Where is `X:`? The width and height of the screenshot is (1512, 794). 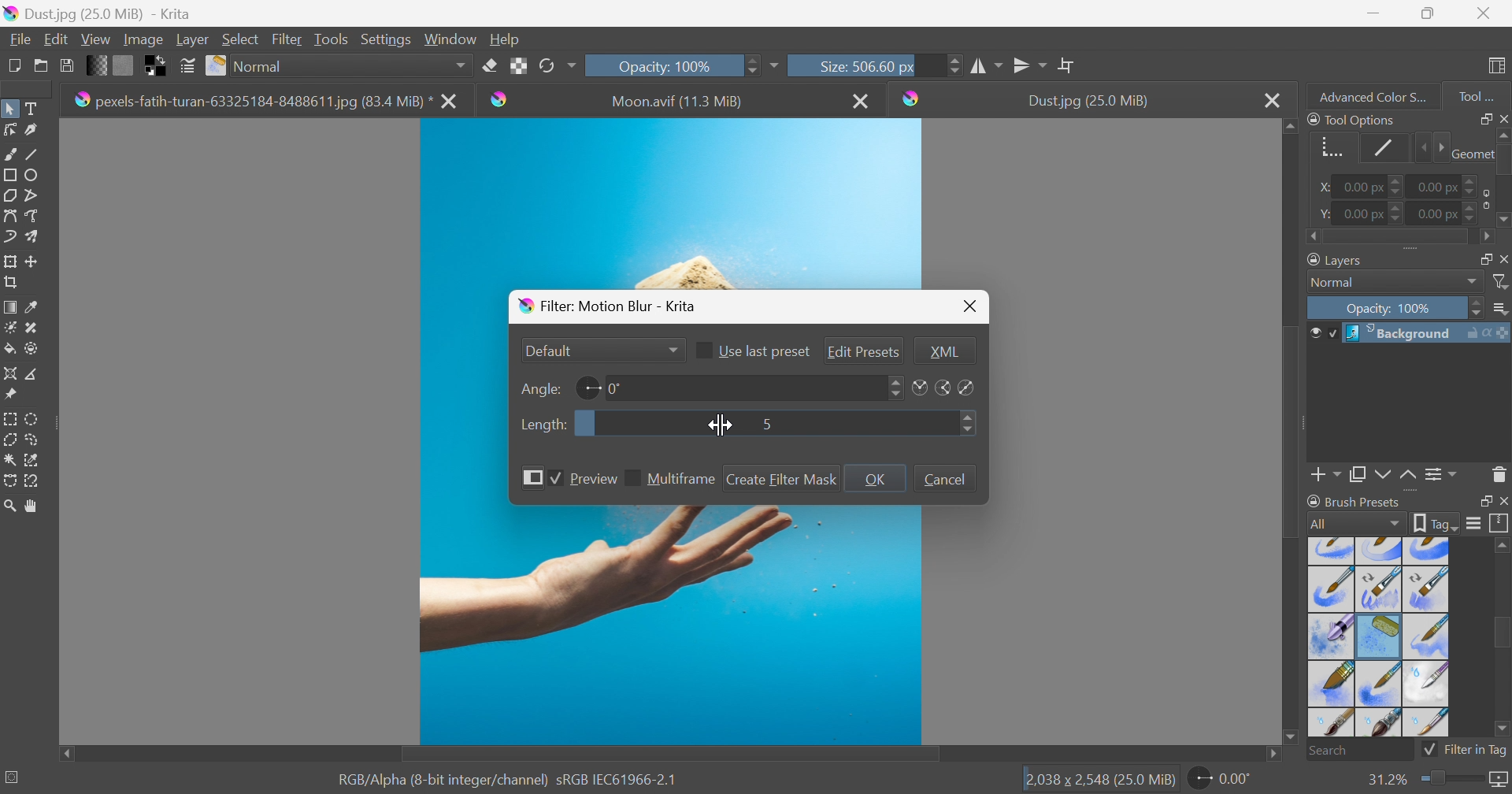
X: is located at coordinates (1320, 187).